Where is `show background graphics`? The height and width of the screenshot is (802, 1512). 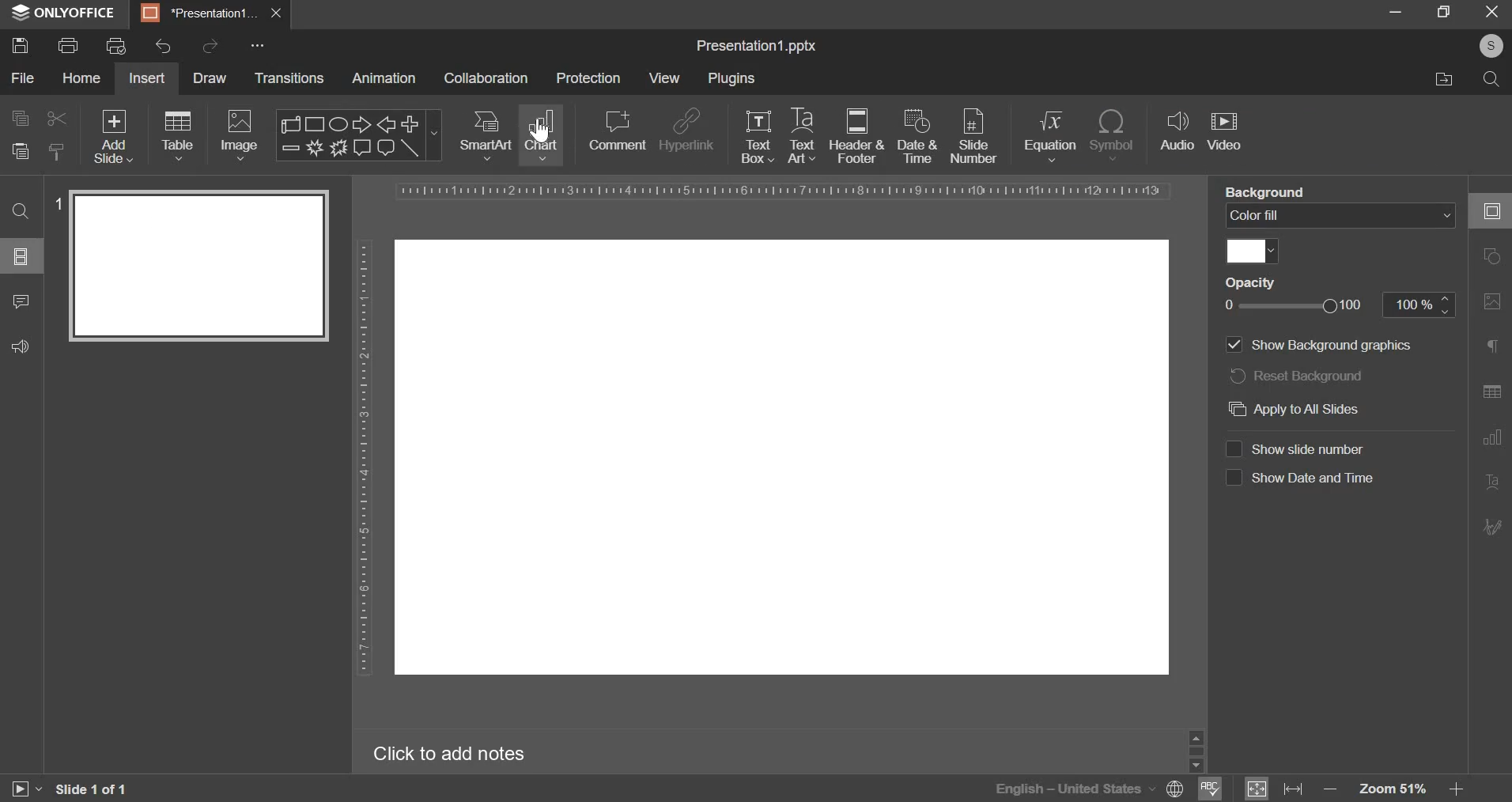 show background graphics is located at coordinates (1321, 346).